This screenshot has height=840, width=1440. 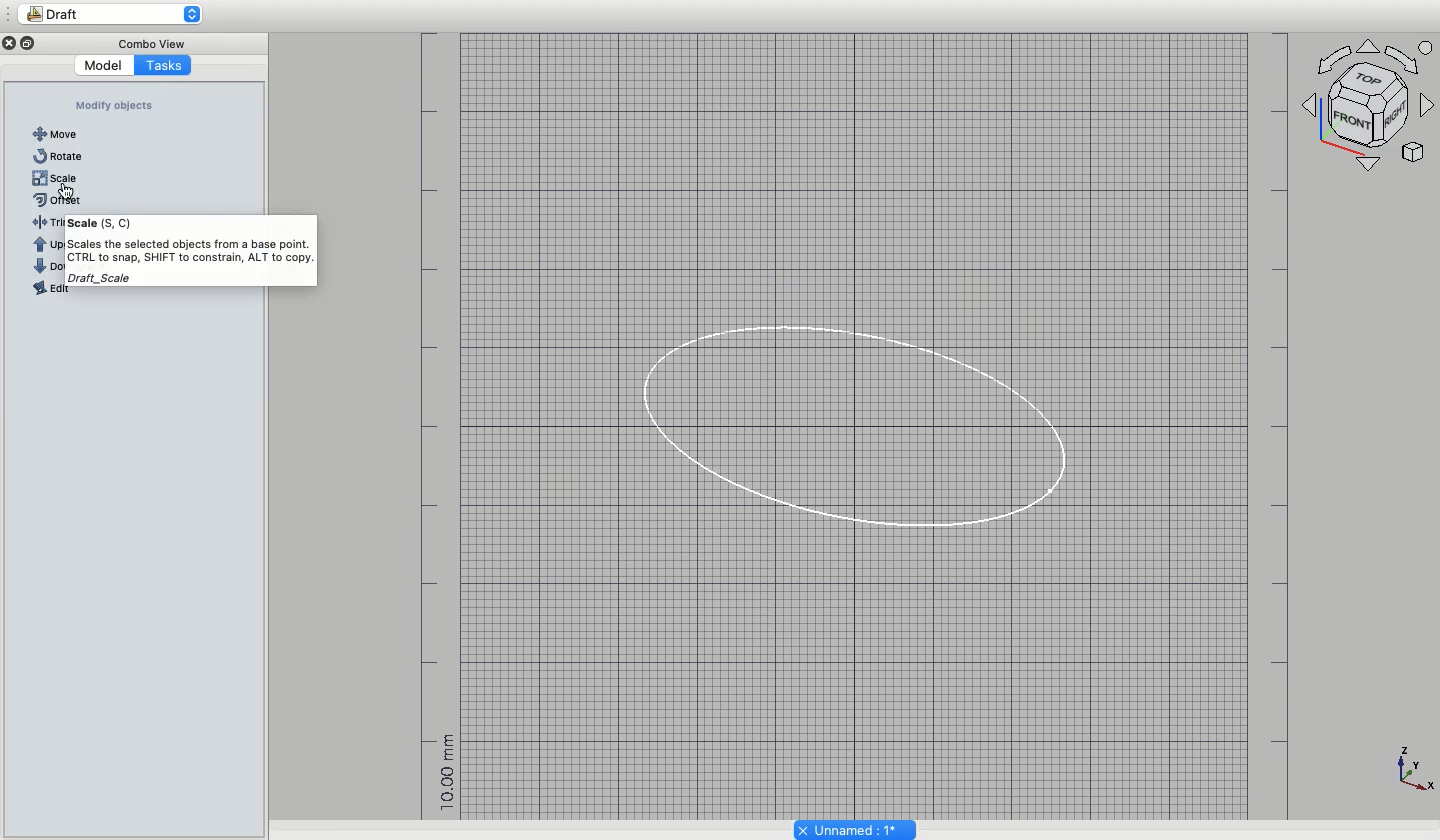 What do you see at coordinates (53, 134) in the screenshot?
I see `Move` at bounding box center [53, 134].